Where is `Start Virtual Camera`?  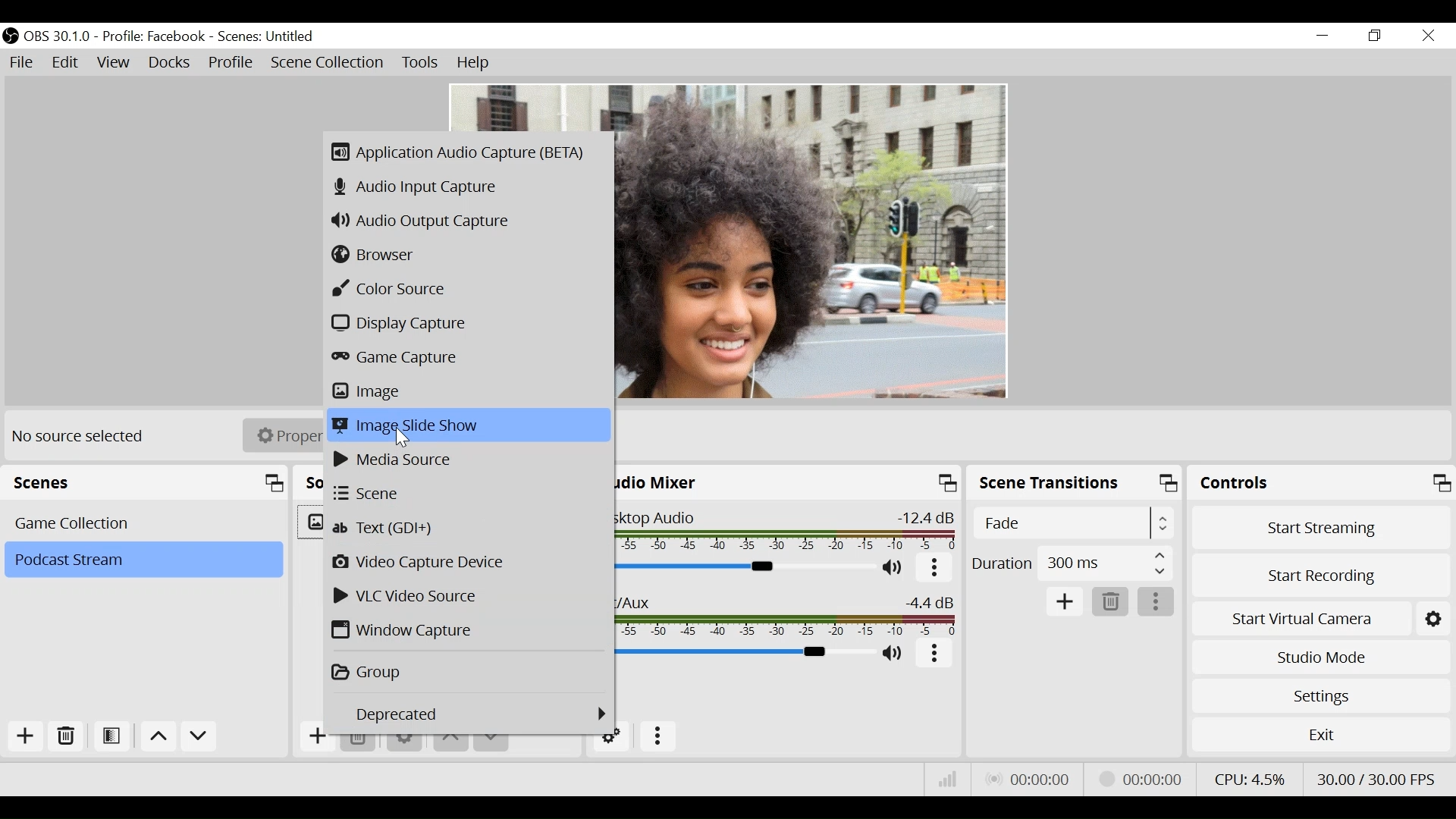
Start Virtual Camera is located at coordinates (1321, 616).